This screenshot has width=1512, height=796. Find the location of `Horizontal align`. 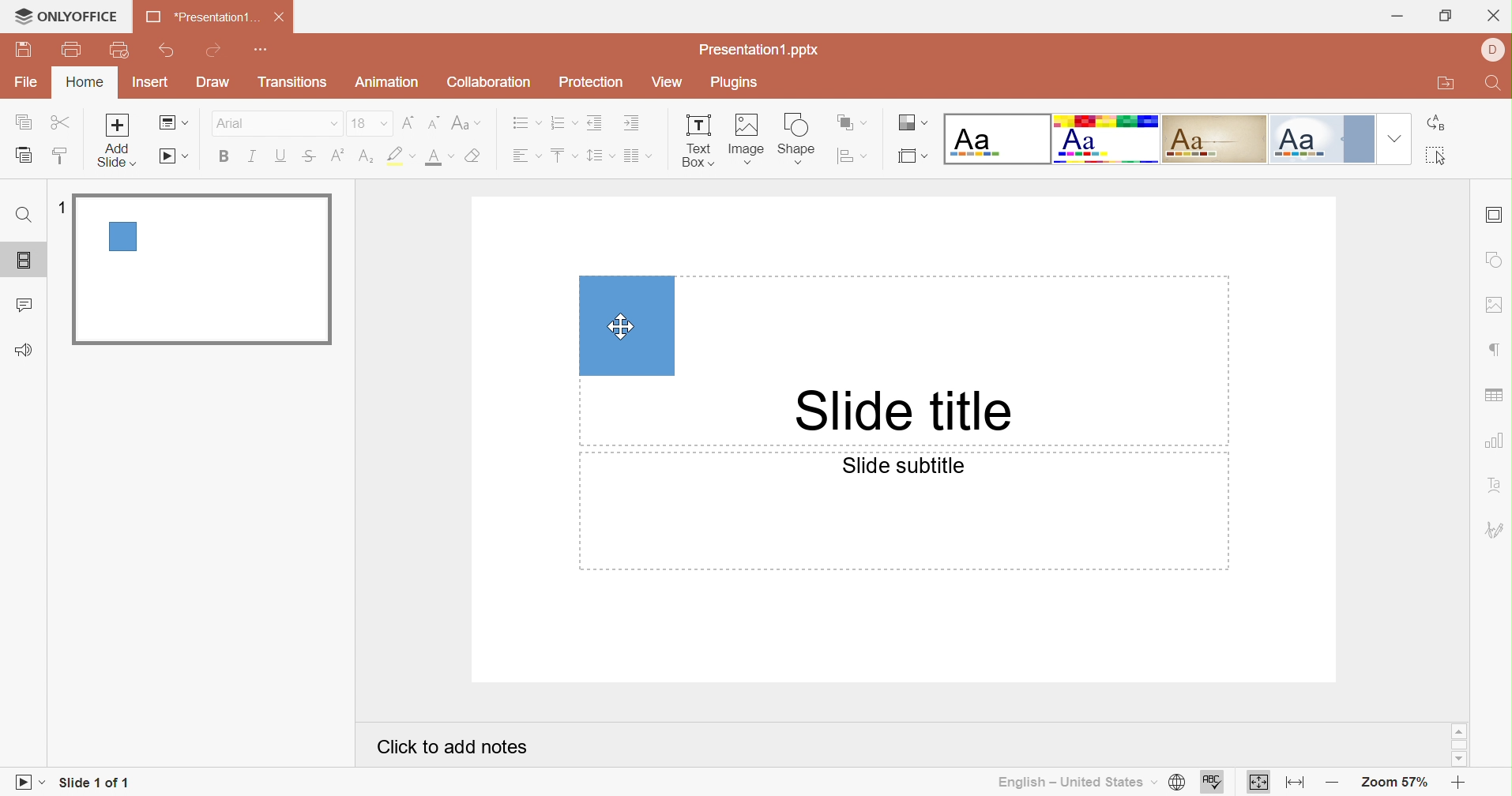

Horizontal align is located at coordinates (528, 156).